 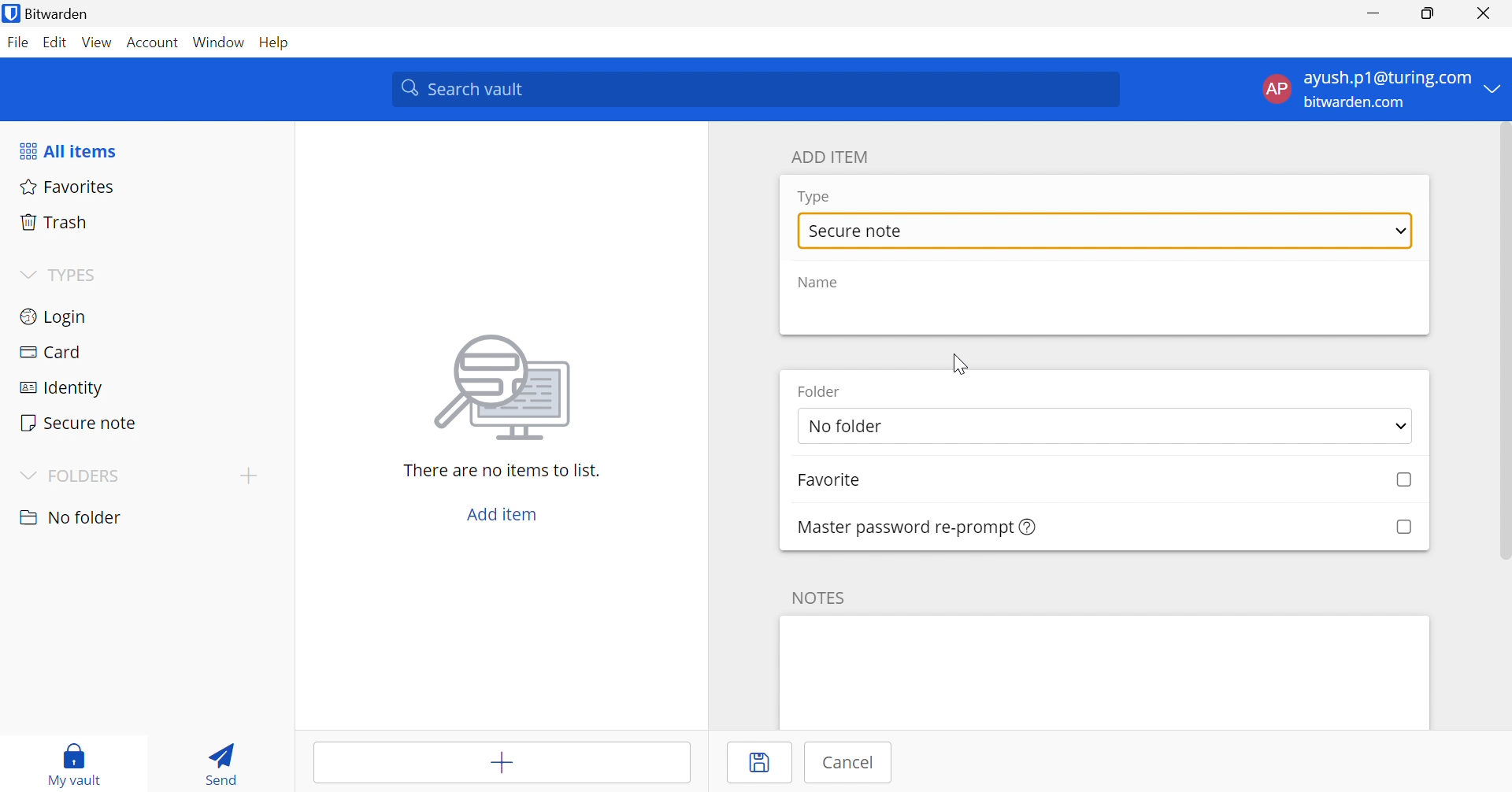 I want to click on Checkbox, so click(x=1405, y=482).